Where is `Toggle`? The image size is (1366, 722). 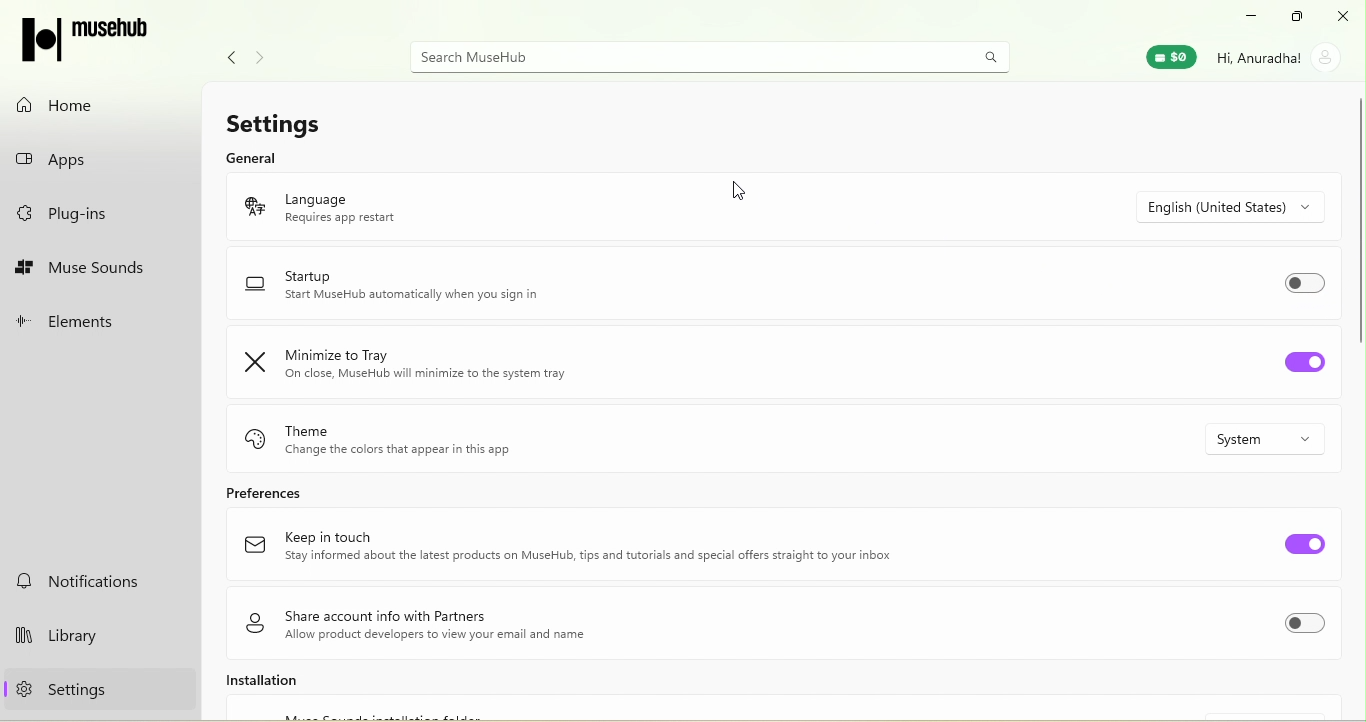
Toggle is located at coordinates (1304, 543).